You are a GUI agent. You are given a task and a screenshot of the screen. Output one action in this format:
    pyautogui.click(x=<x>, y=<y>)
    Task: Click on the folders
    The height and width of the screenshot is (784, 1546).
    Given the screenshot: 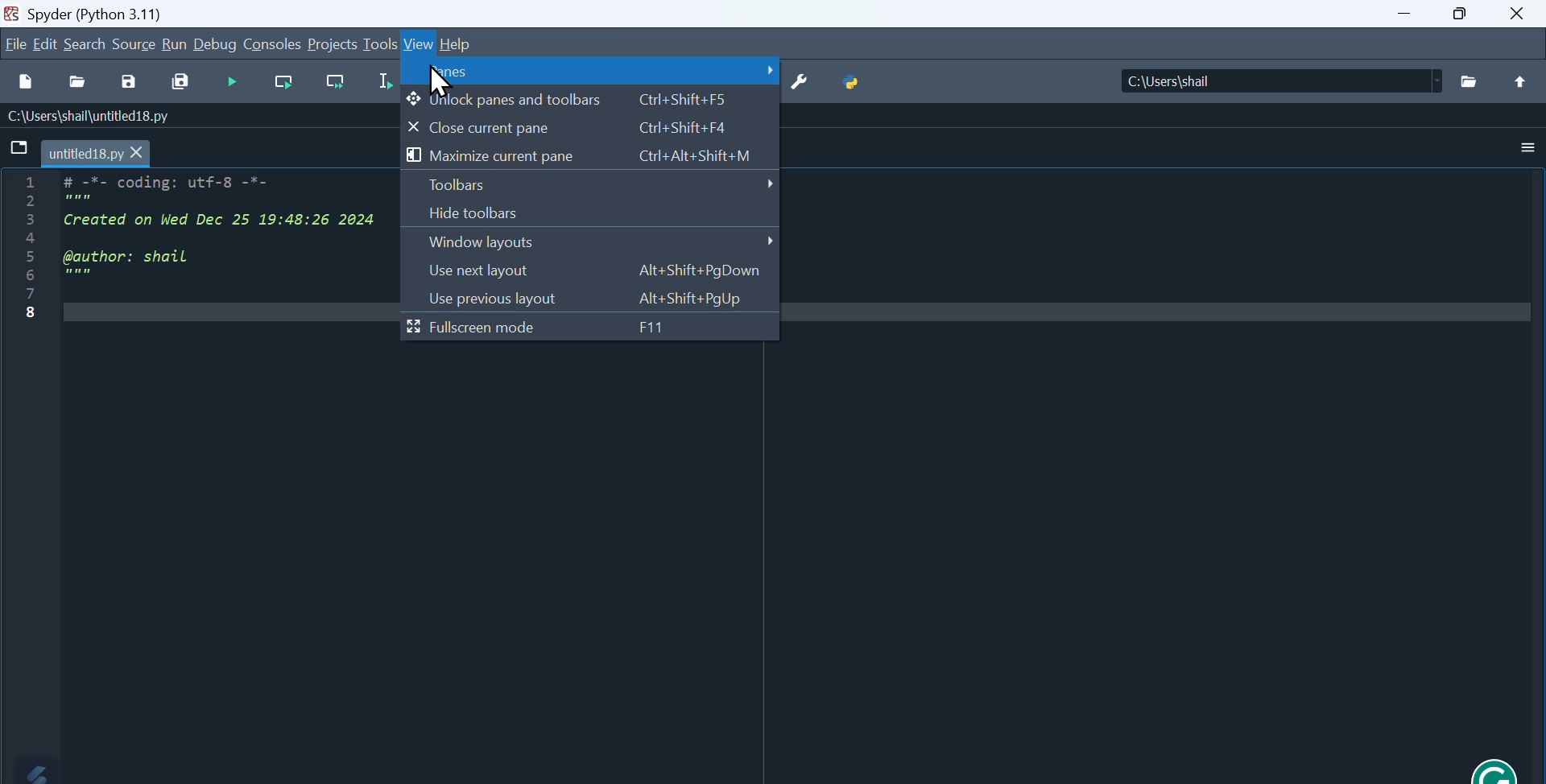 What is the action you would take?
    pyautogui.click(x=1470, y=81)
    